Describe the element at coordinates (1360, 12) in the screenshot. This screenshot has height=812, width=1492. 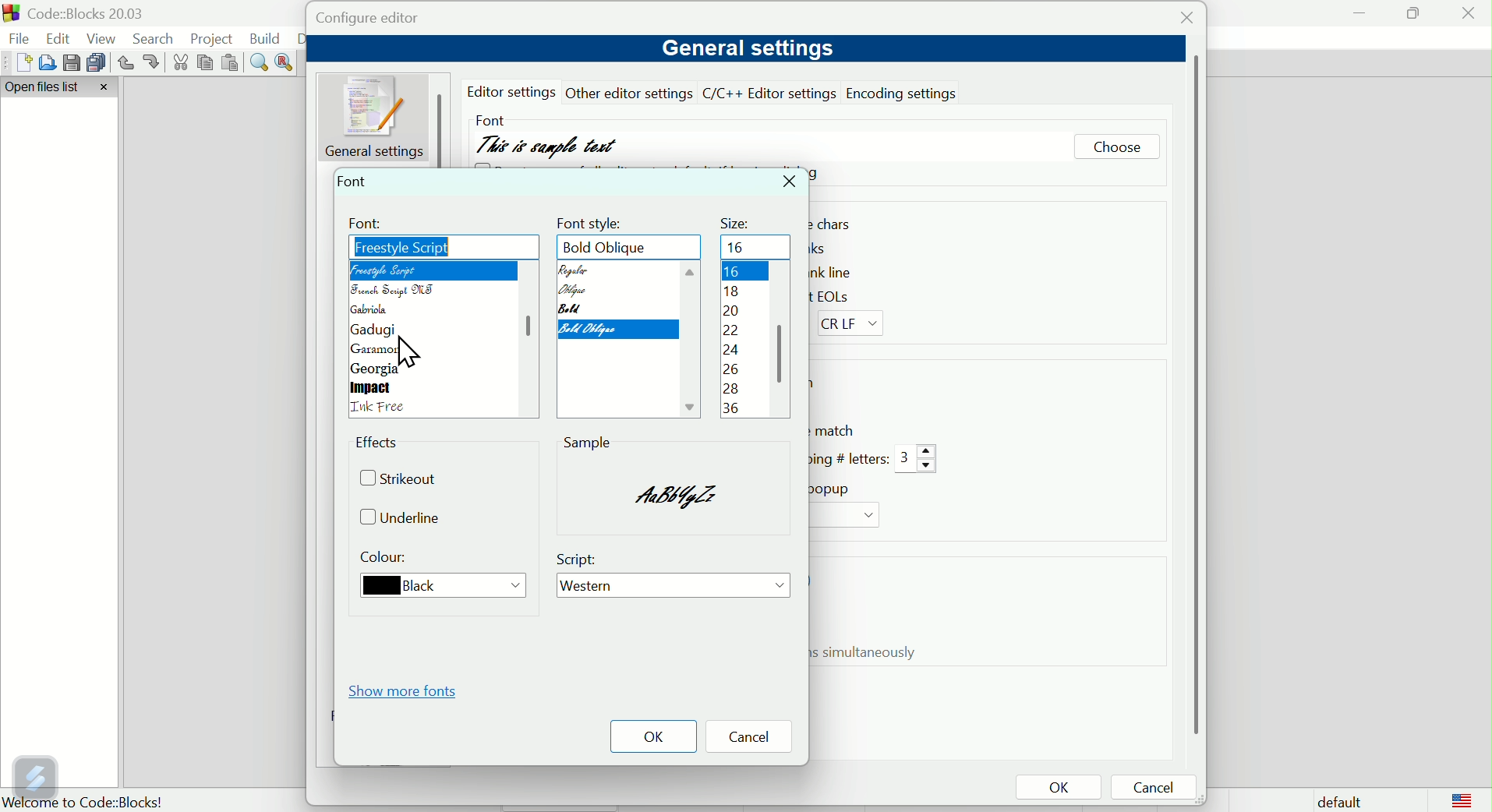
I see `minimise` at that location.